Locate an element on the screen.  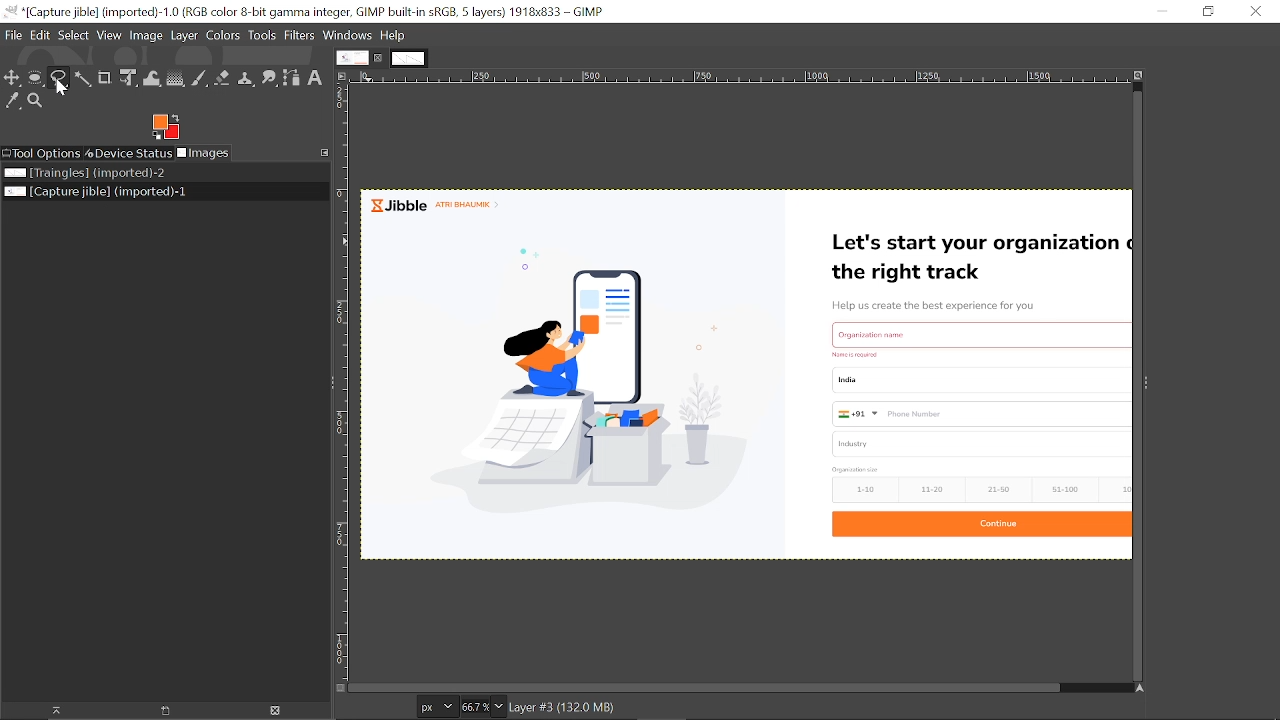
Zoom options is located at coordinates (501, 707).